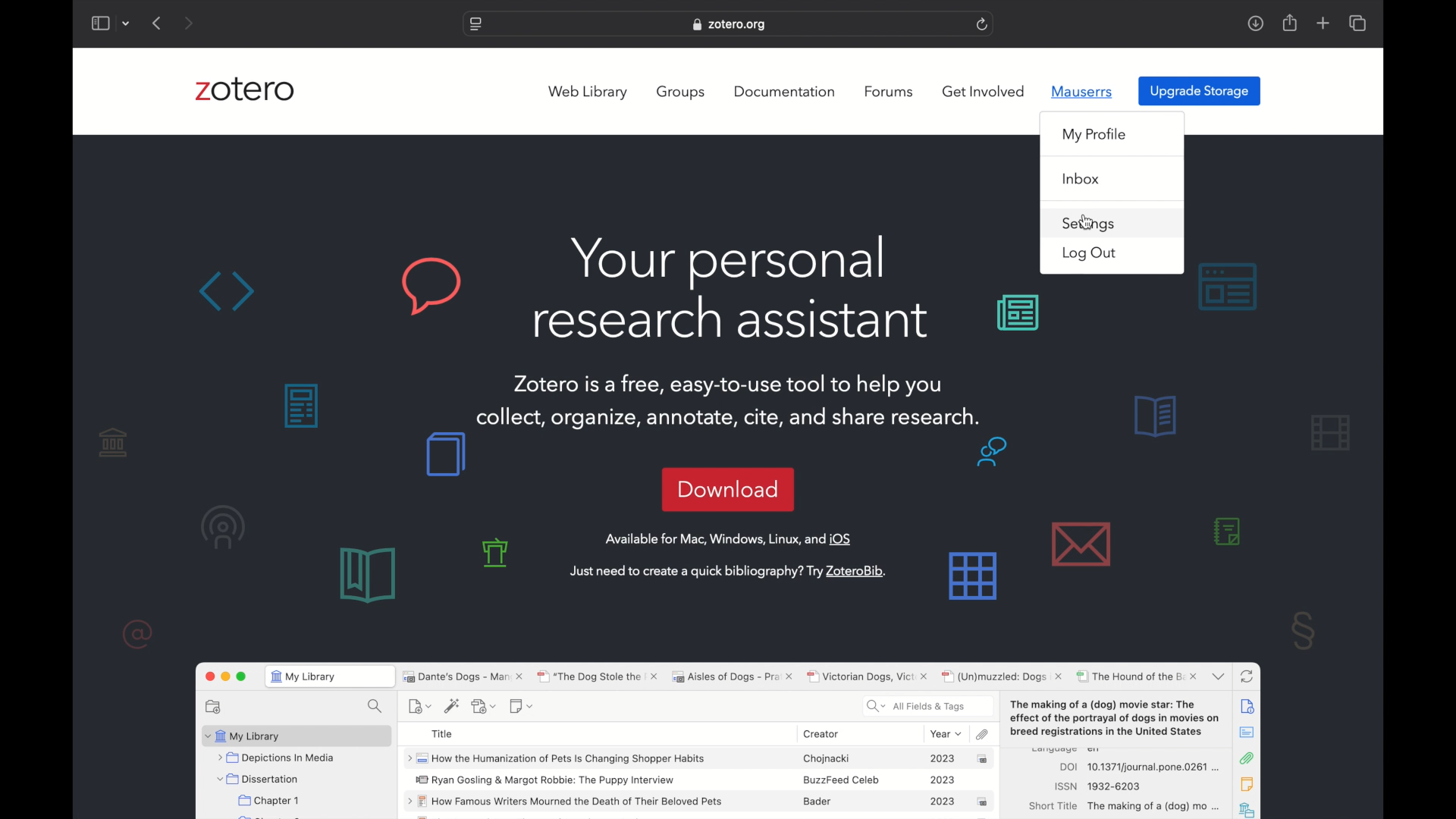 This screenshot has height=819, width=1456. I want to click on refresh, so click(984, 24).